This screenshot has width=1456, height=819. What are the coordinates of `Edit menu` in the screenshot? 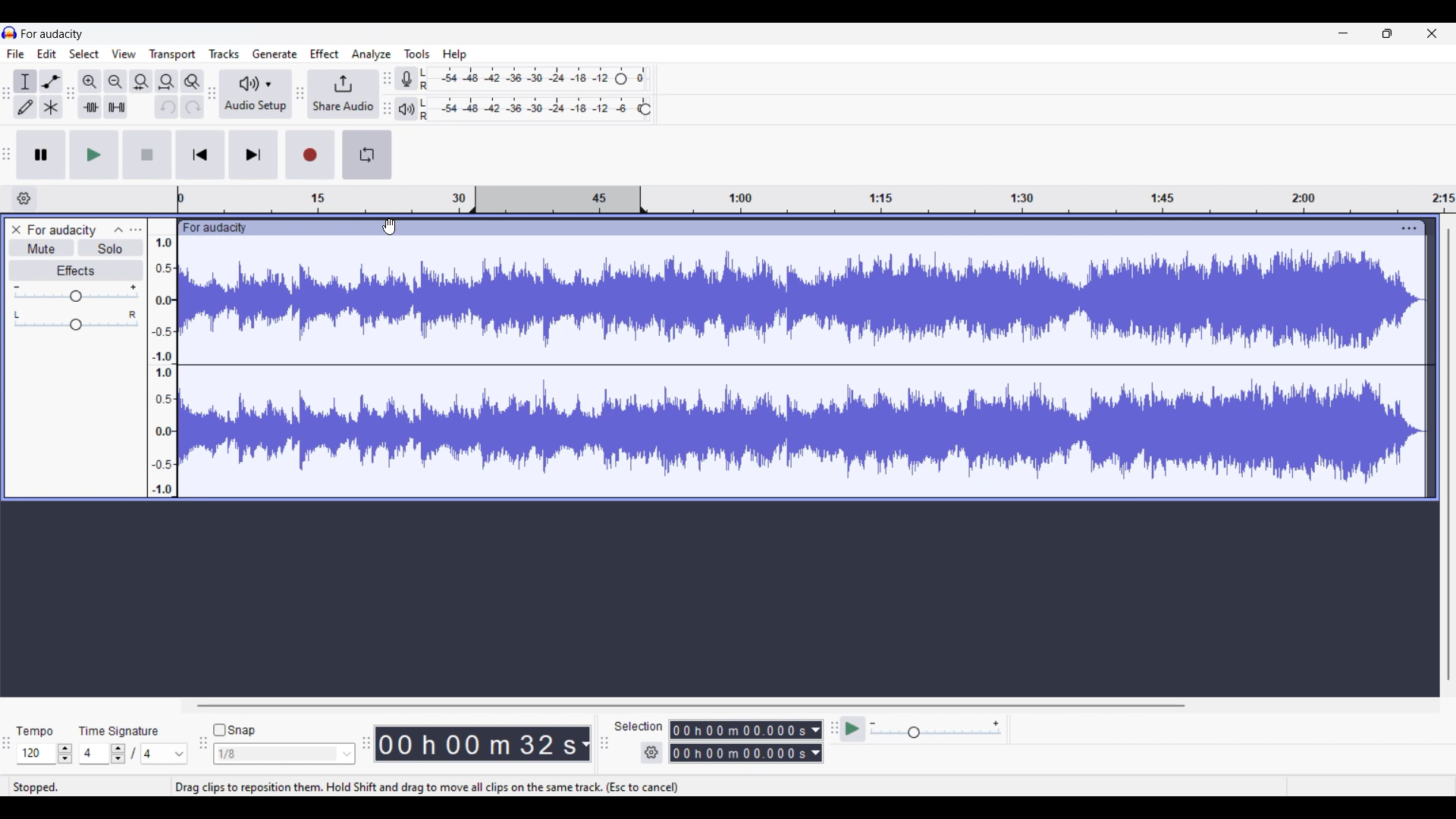 It's located at (47, 54).